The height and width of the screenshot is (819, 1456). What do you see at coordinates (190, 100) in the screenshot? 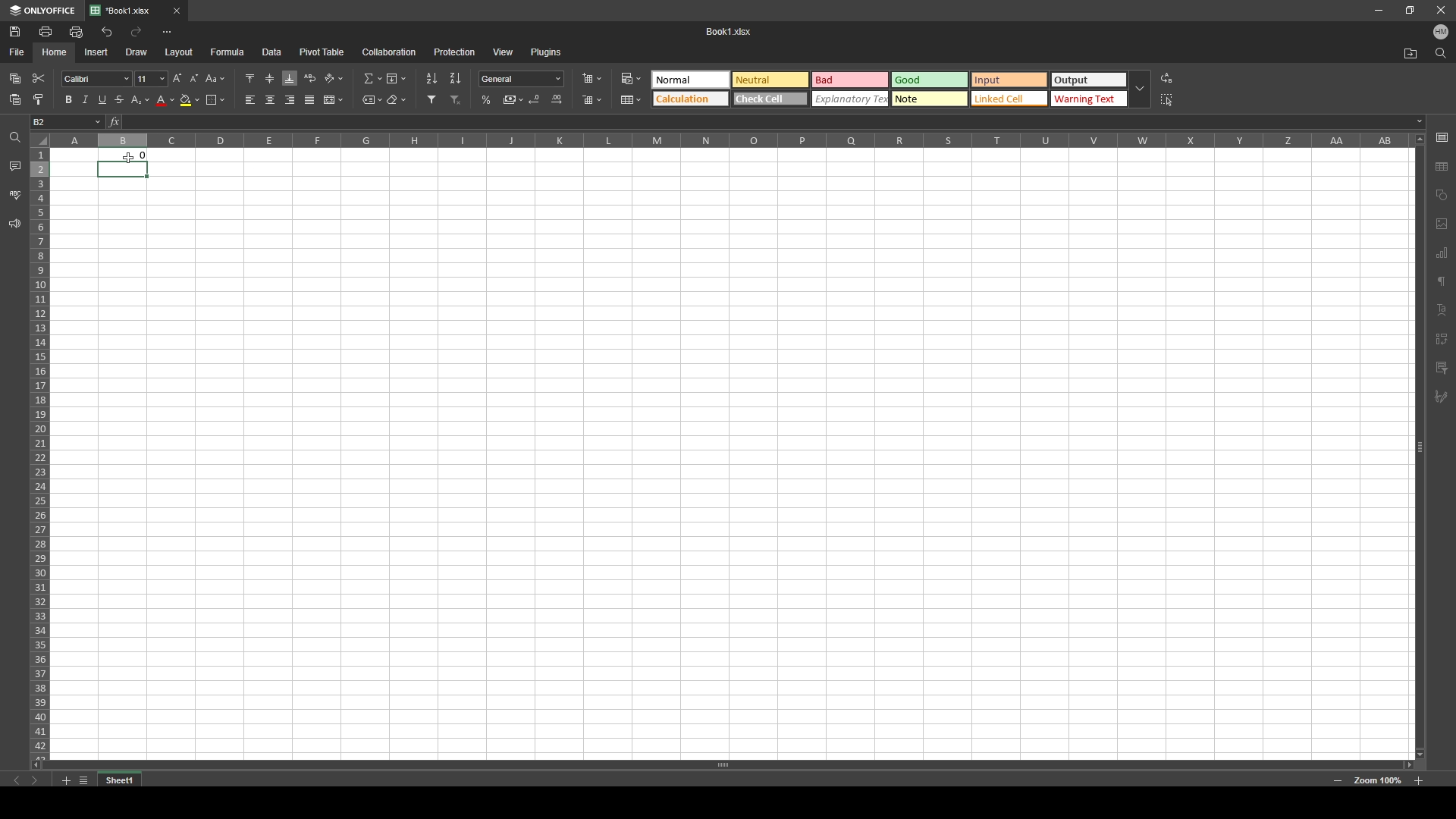
I see `fill color` at bounding box center [190, 100].